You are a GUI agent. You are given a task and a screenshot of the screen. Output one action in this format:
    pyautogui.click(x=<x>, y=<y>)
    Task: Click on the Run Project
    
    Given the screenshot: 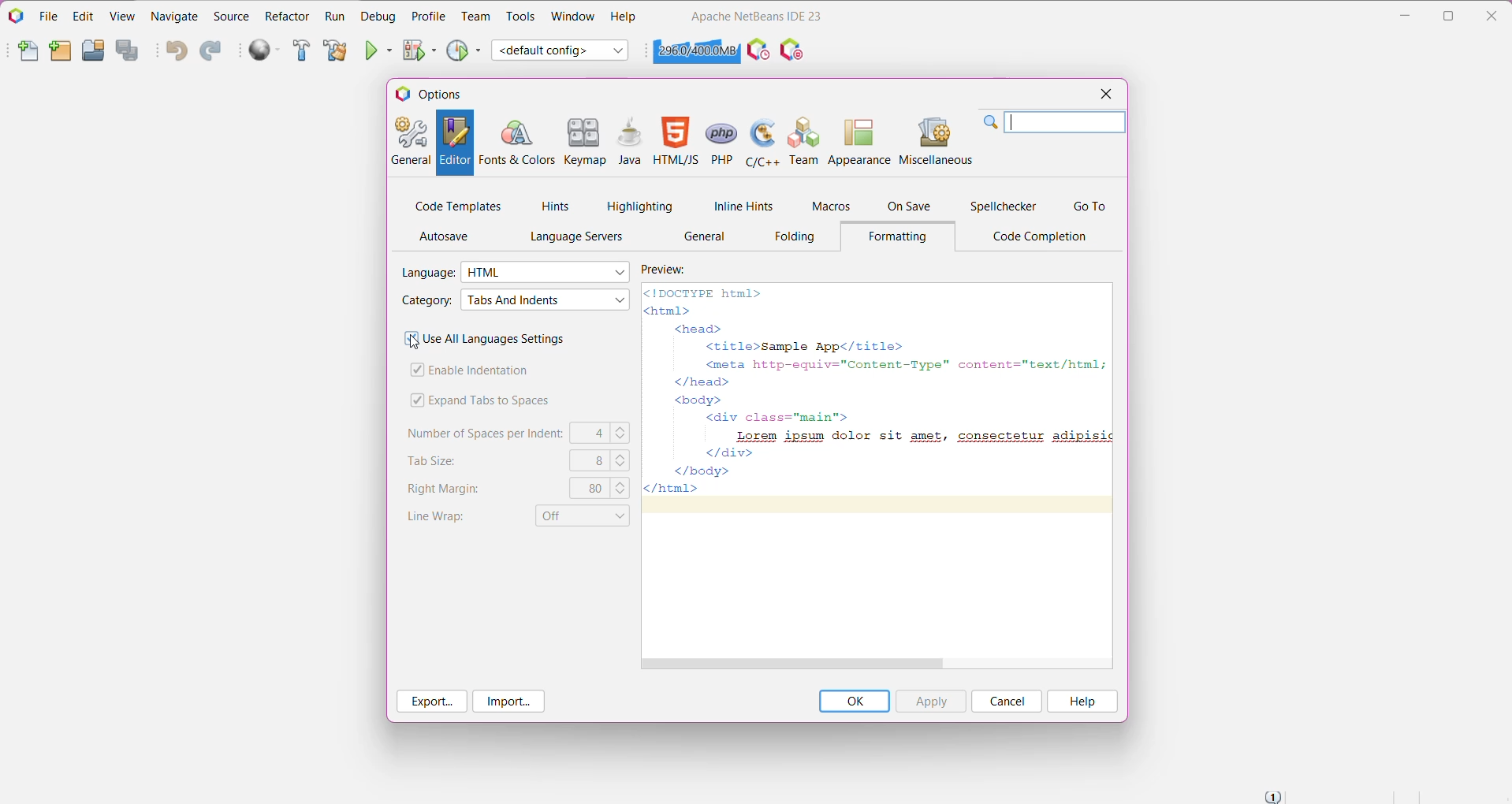 What is the action you would take?
    pyautogui.click(x=380, y=50)
    